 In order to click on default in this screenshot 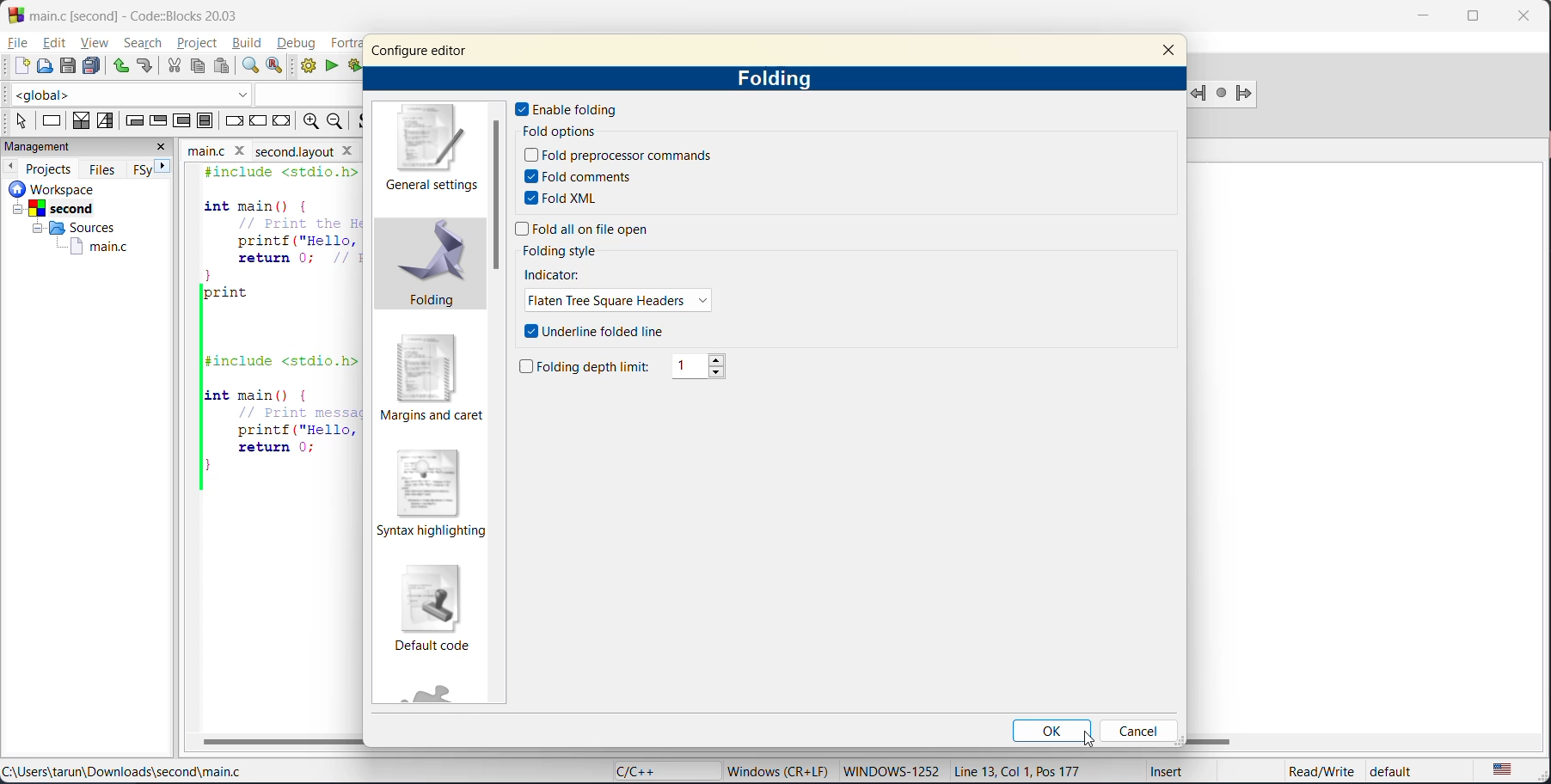, I will do `click(1407, 772)`.